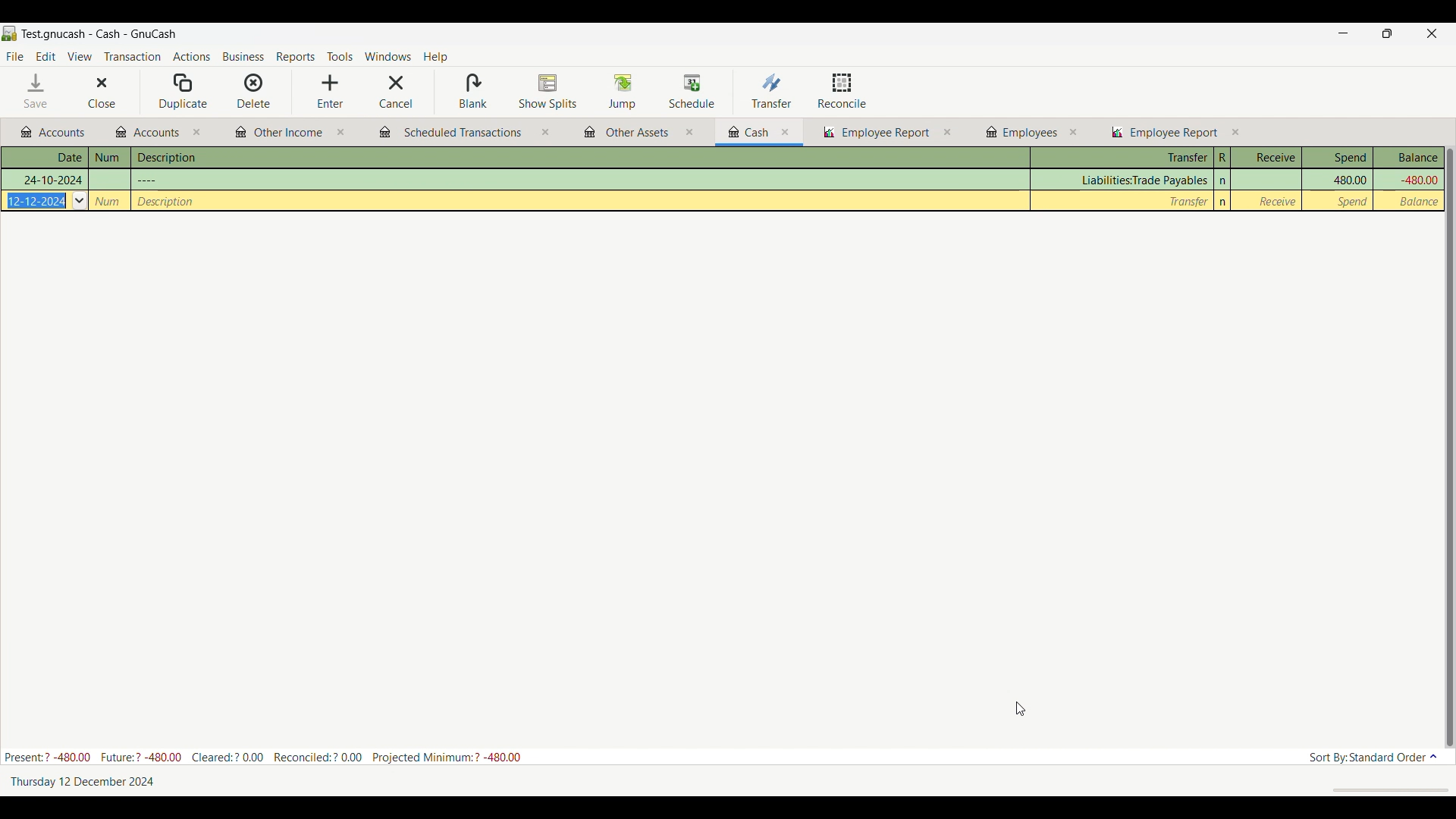  Describe the element at coordinates (877, 133) in the screenshot. I see `Other budgets and reports` at that location.